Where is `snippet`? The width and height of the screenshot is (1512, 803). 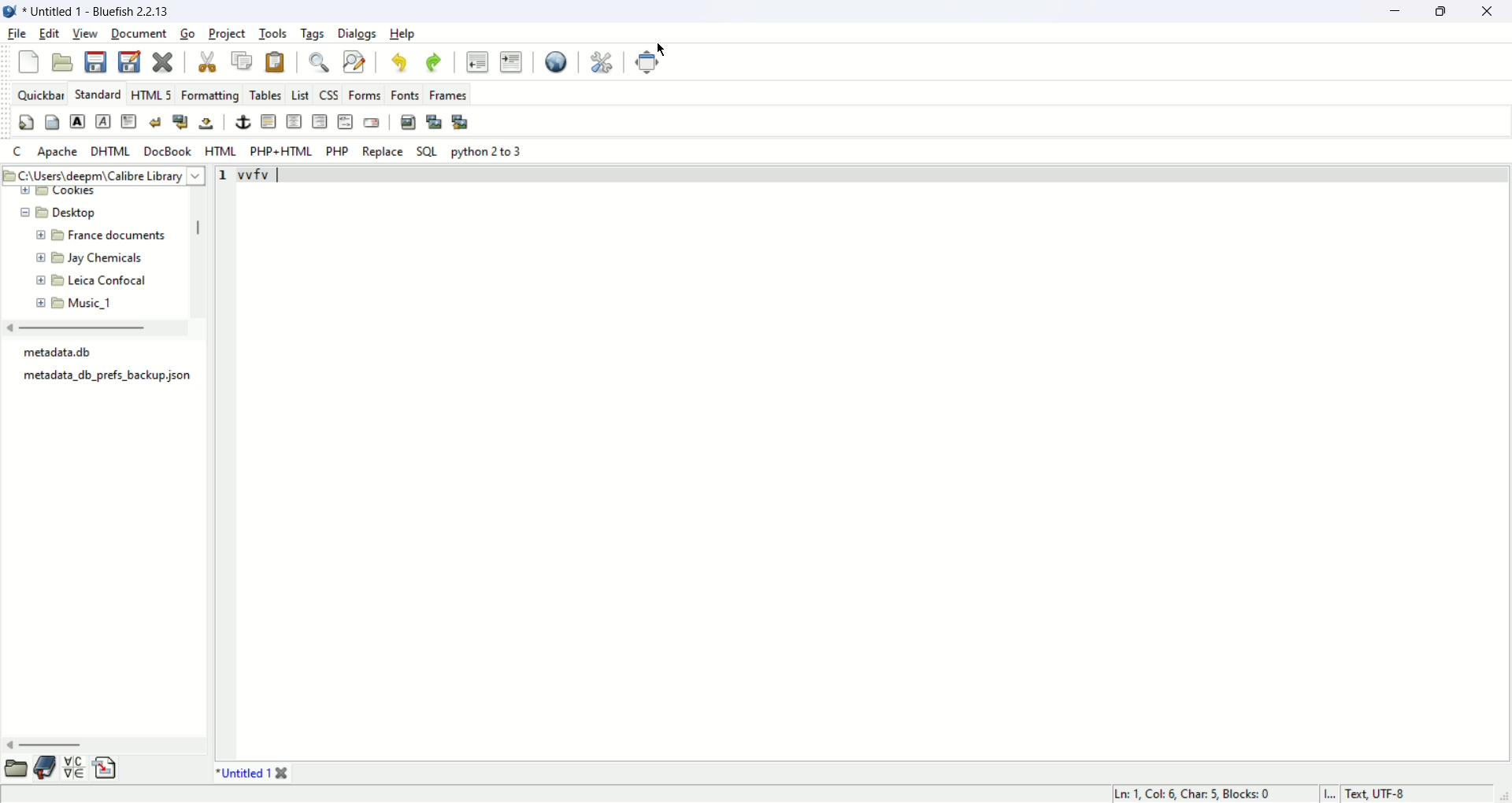 snippet is located at coordinates (105, 768).